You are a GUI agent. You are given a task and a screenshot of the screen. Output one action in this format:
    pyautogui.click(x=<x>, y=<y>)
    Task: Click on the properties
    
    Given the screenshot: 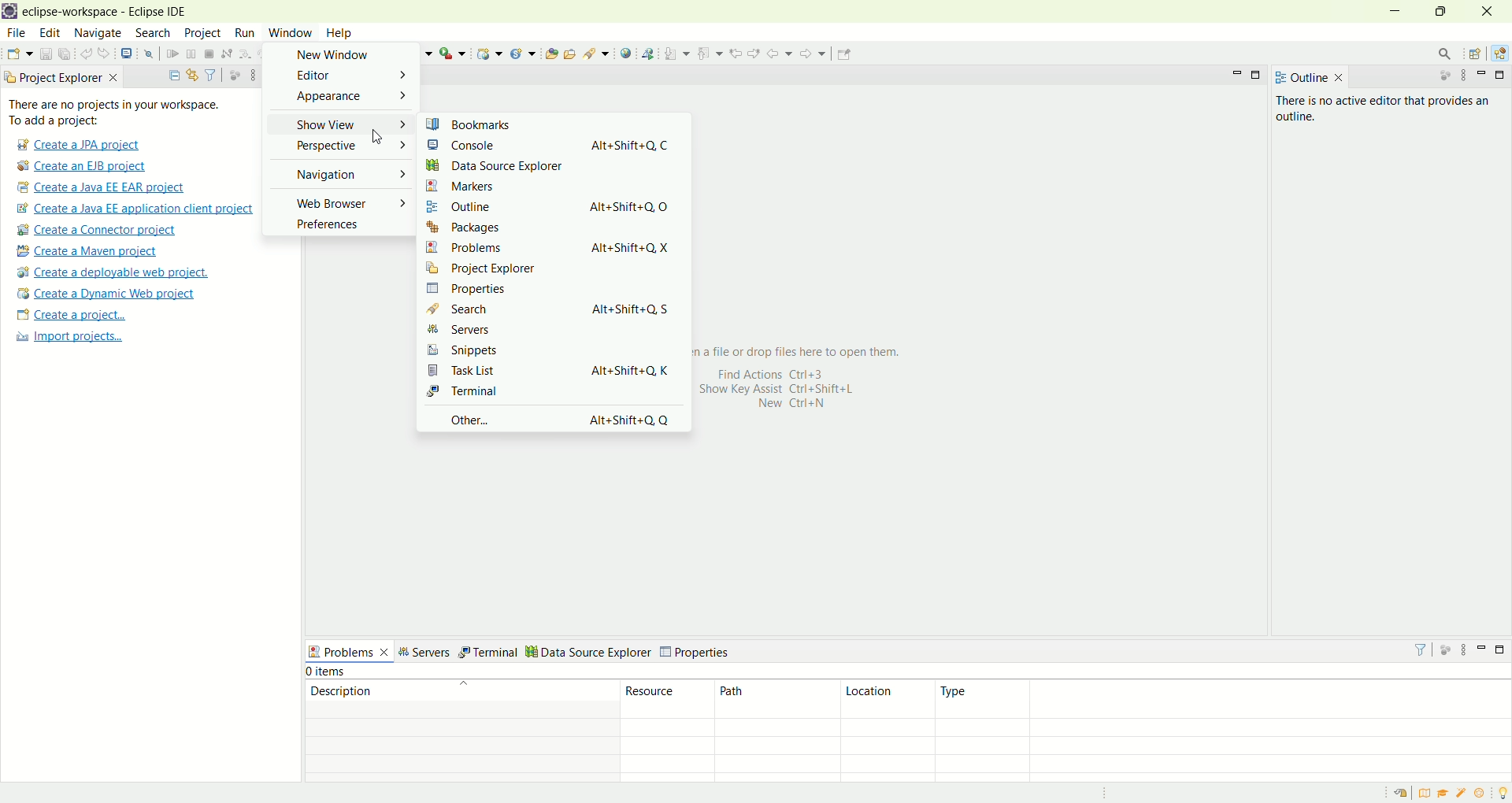 What is the action you would take?
    pyautogui.click(x=696, y=650)
    